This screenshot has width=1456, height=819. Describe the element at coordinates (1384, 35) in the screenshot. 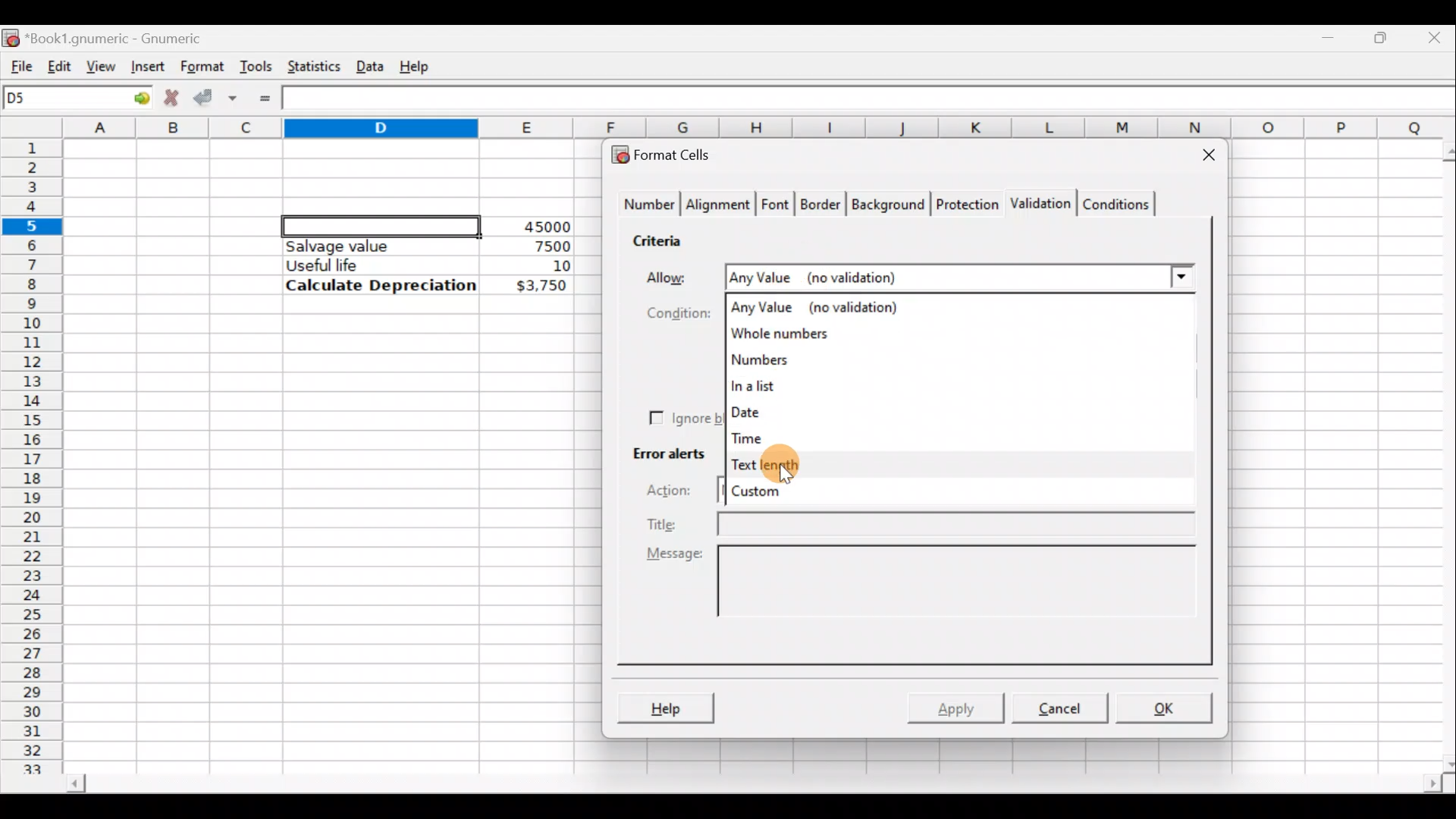

I see `Maximize` at that location.